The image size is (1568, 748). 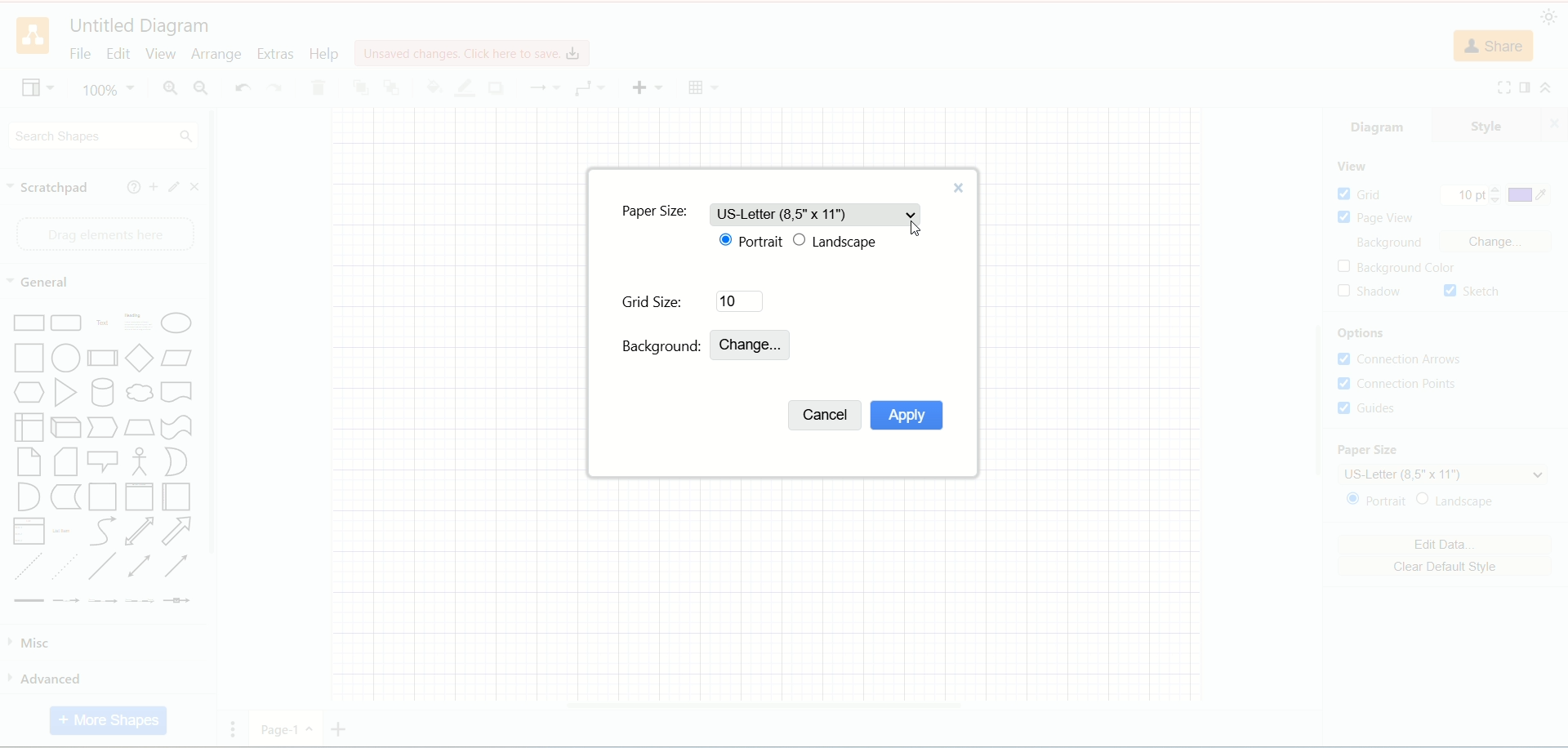 What do you see at coordinates (359, 86) in the screenshot?
I see `to front` at bounding box center [359, 86].